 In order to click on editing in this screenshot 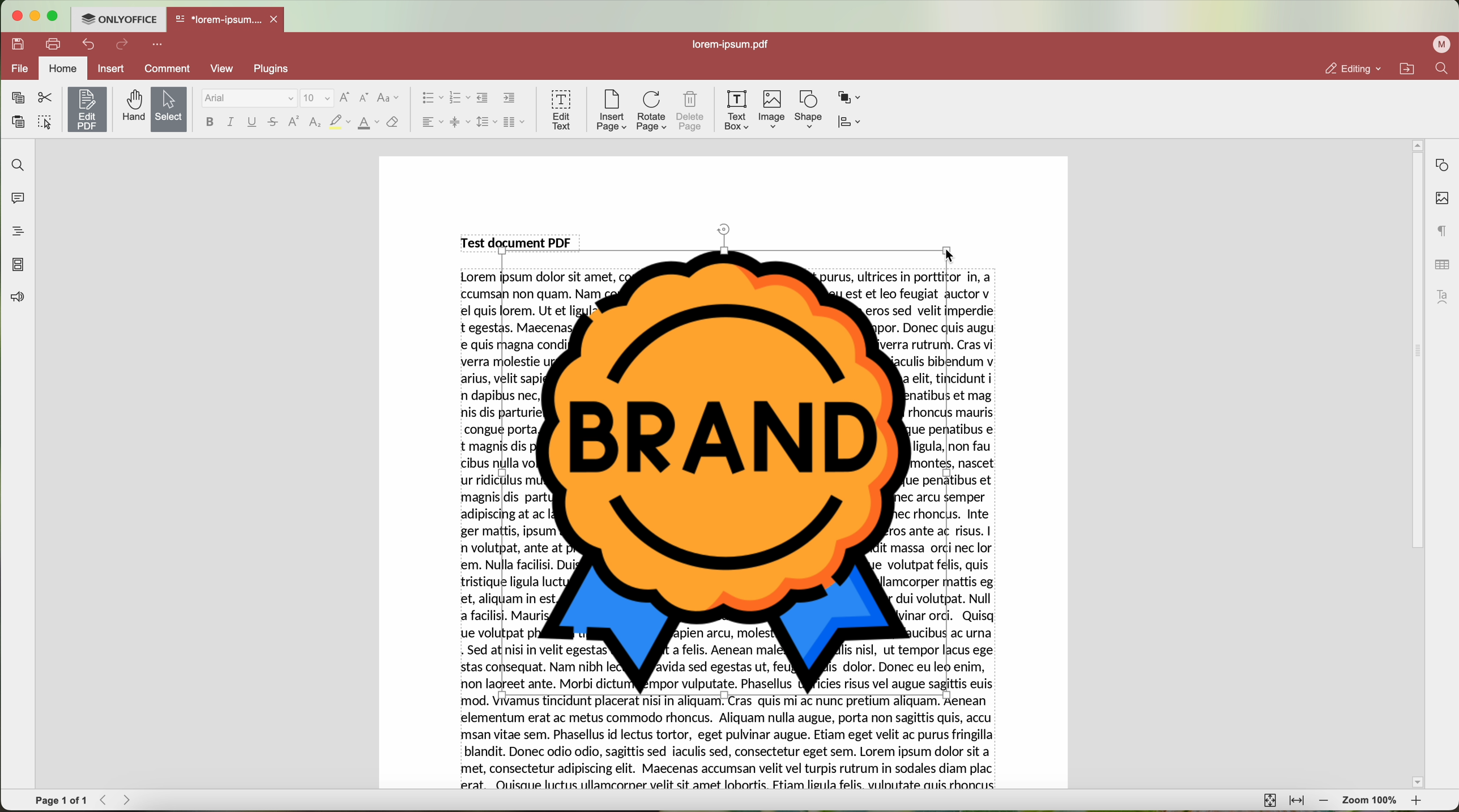, I will do `click(1352, 69)`.